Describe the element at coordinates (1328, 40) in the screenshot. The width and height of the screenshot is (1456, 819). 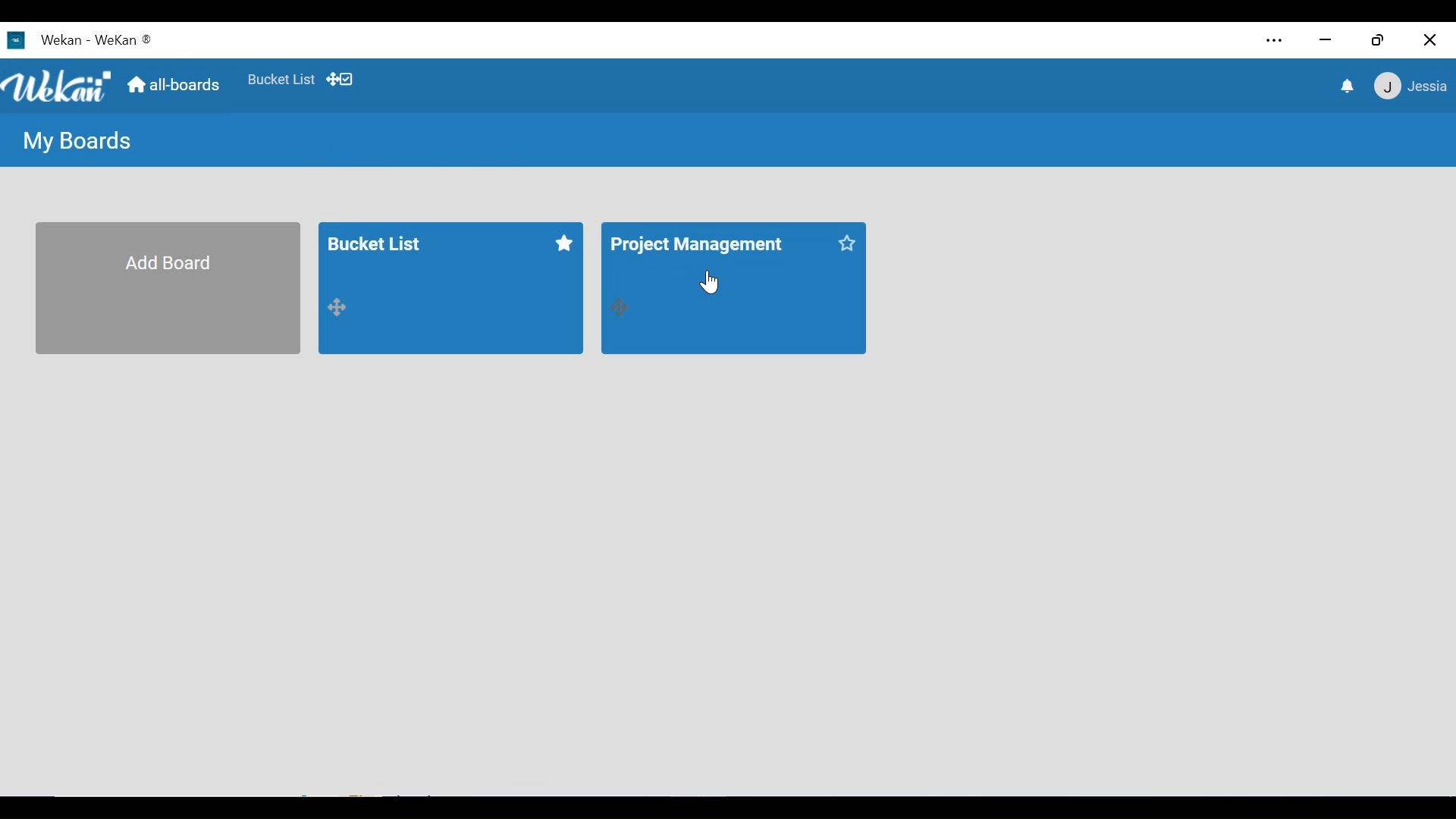
I see `minimize` at that location.